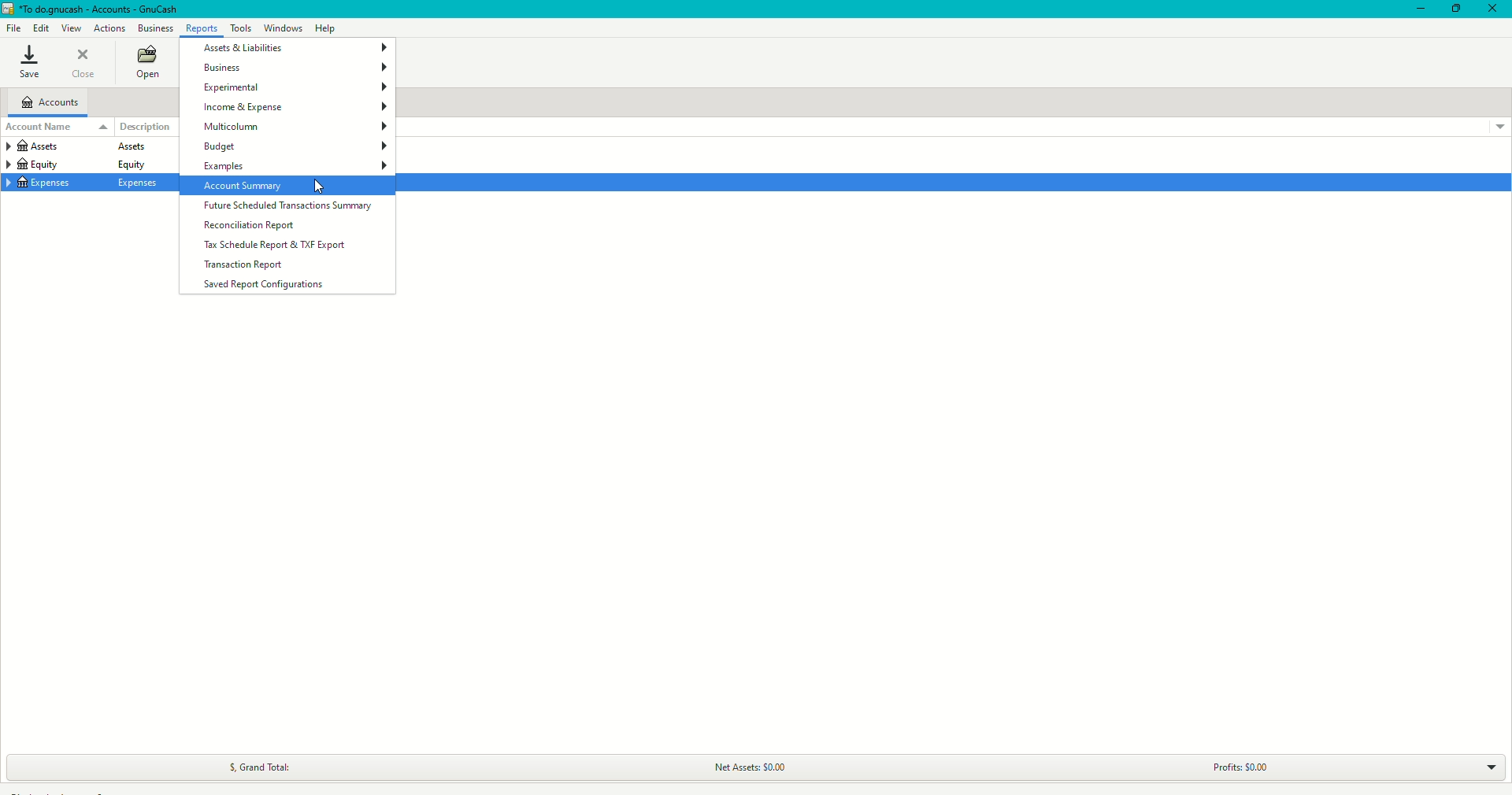  What do you see at coordinates (286, 205) in the screenshot?
I see `Future Scheduled Transactions Summary` at bounding box center [286, 205].